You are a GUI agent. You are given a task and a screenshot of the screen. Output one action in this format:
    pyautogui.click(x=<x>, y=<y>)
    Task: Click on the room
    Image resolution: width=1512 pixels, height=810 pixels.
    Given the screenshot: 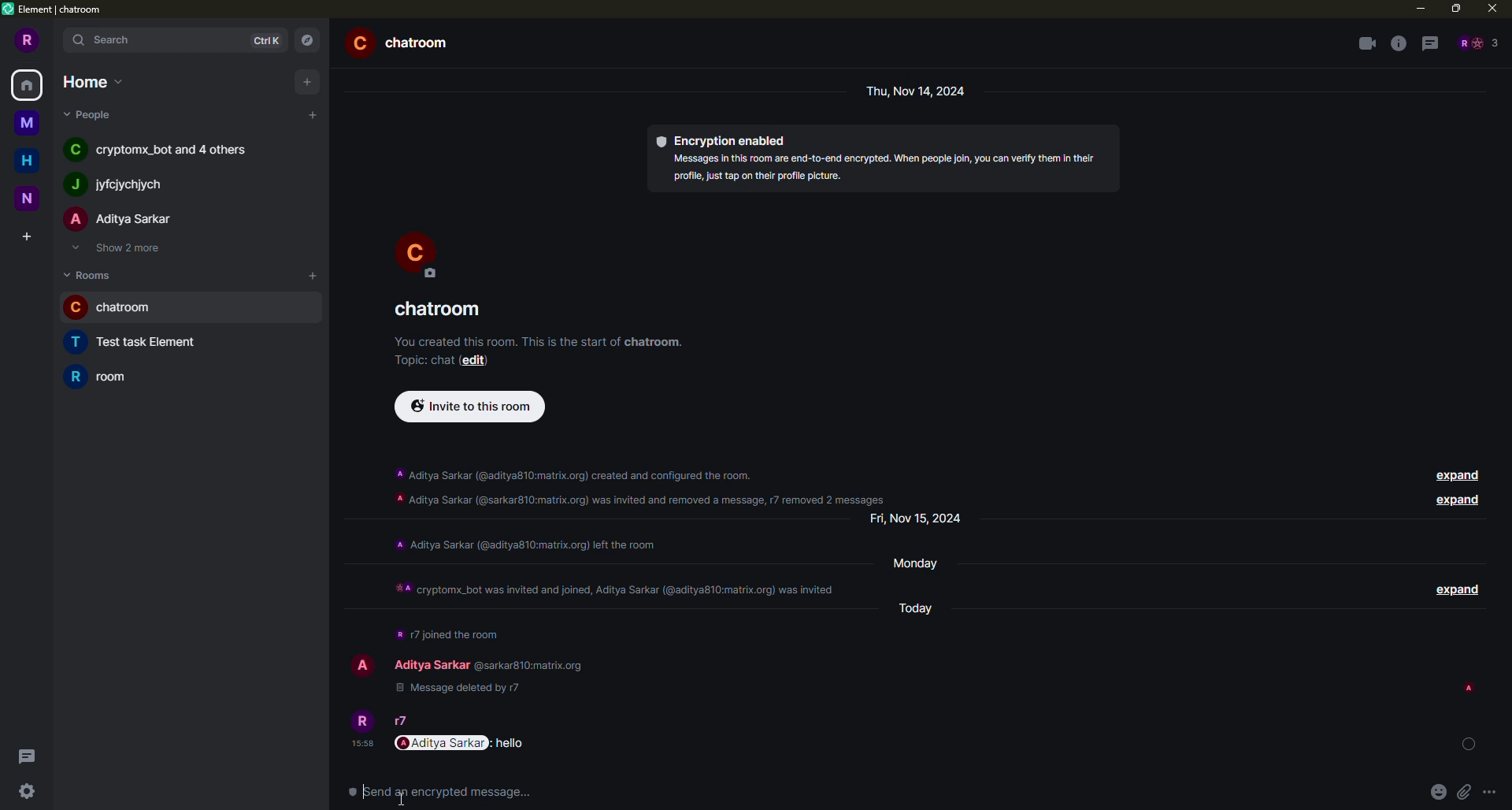 What is the action you would take?
    pyautogui.click(x=405, y=42)
    